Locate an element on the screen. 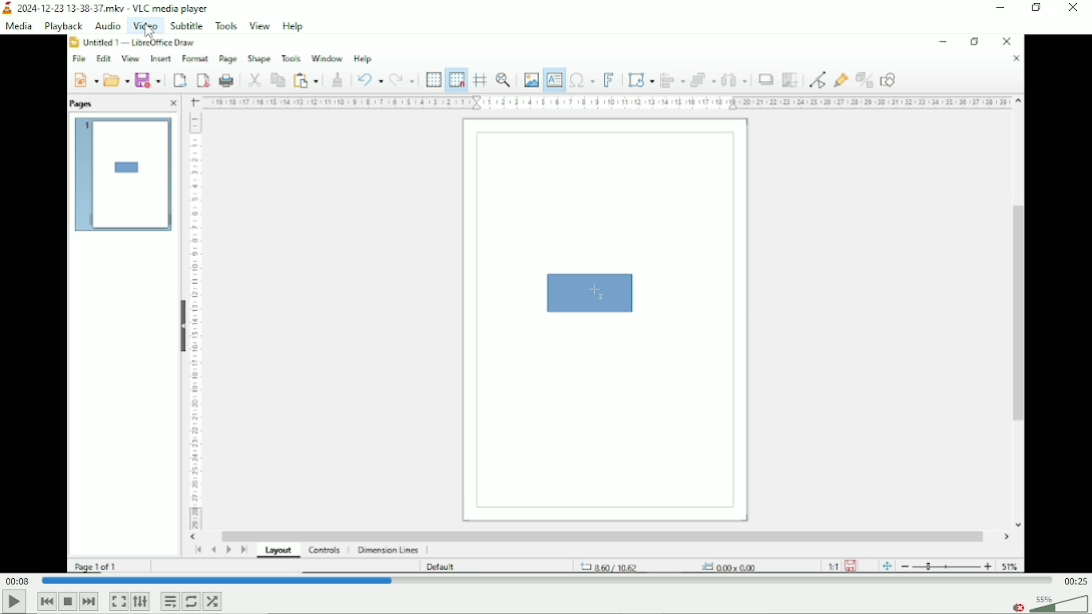 The height and width of the screenshot is (614, 1092). Minimize is located at coordinates (1003, 7).